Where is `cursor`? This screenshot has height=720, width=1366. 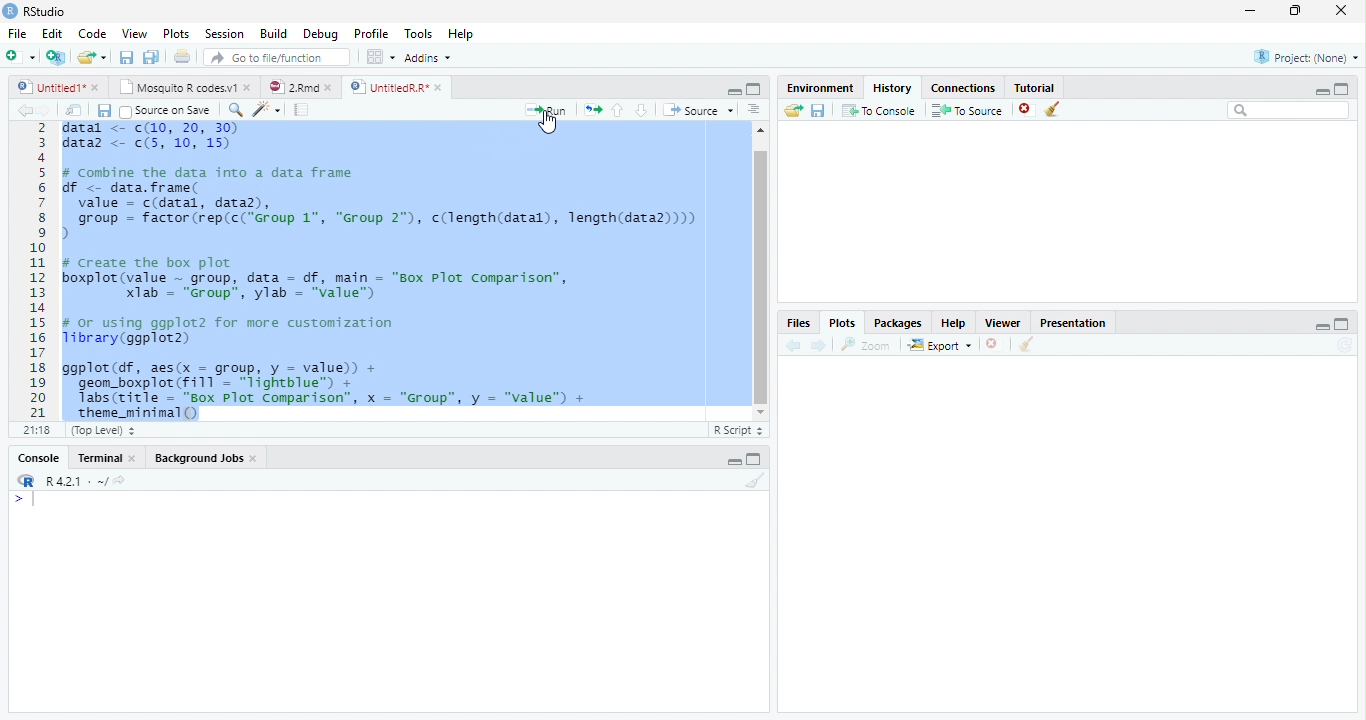
cursor is located at coordinates (550, 123).